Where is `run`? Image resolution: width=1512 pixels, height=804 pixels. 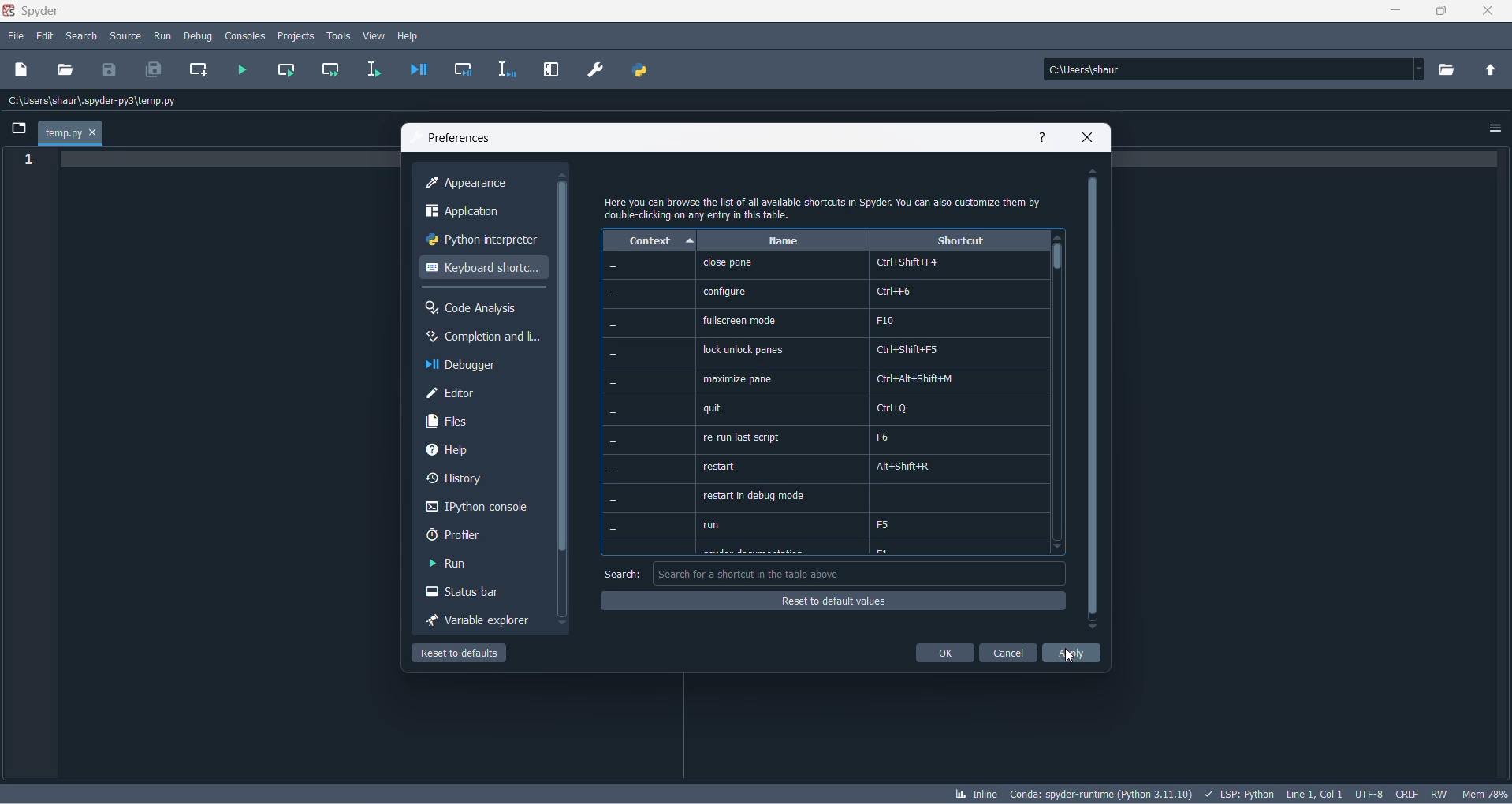 run is located at coordinates (713, 525).